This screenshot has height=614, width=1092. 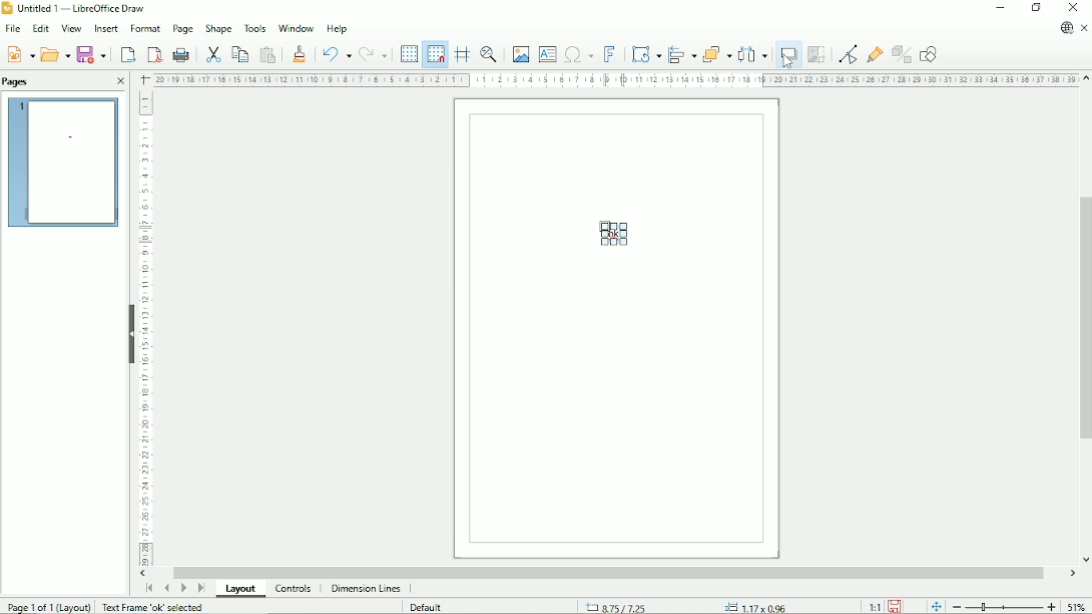 I want to click on Horizontal scrollbar, so click(x=613, y=571).